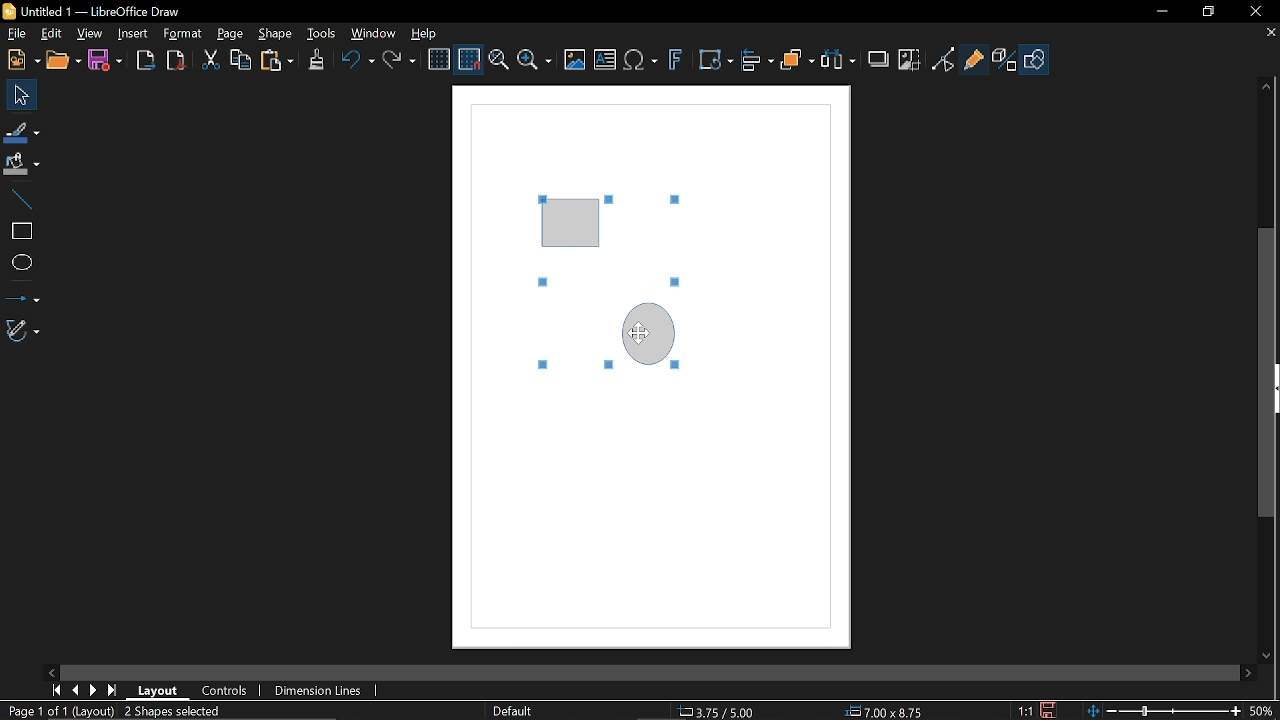  What do you see at coordinates (675, 61) in the screenshot?
I see `Insert fontwork text` at bounding box center [675, 61].